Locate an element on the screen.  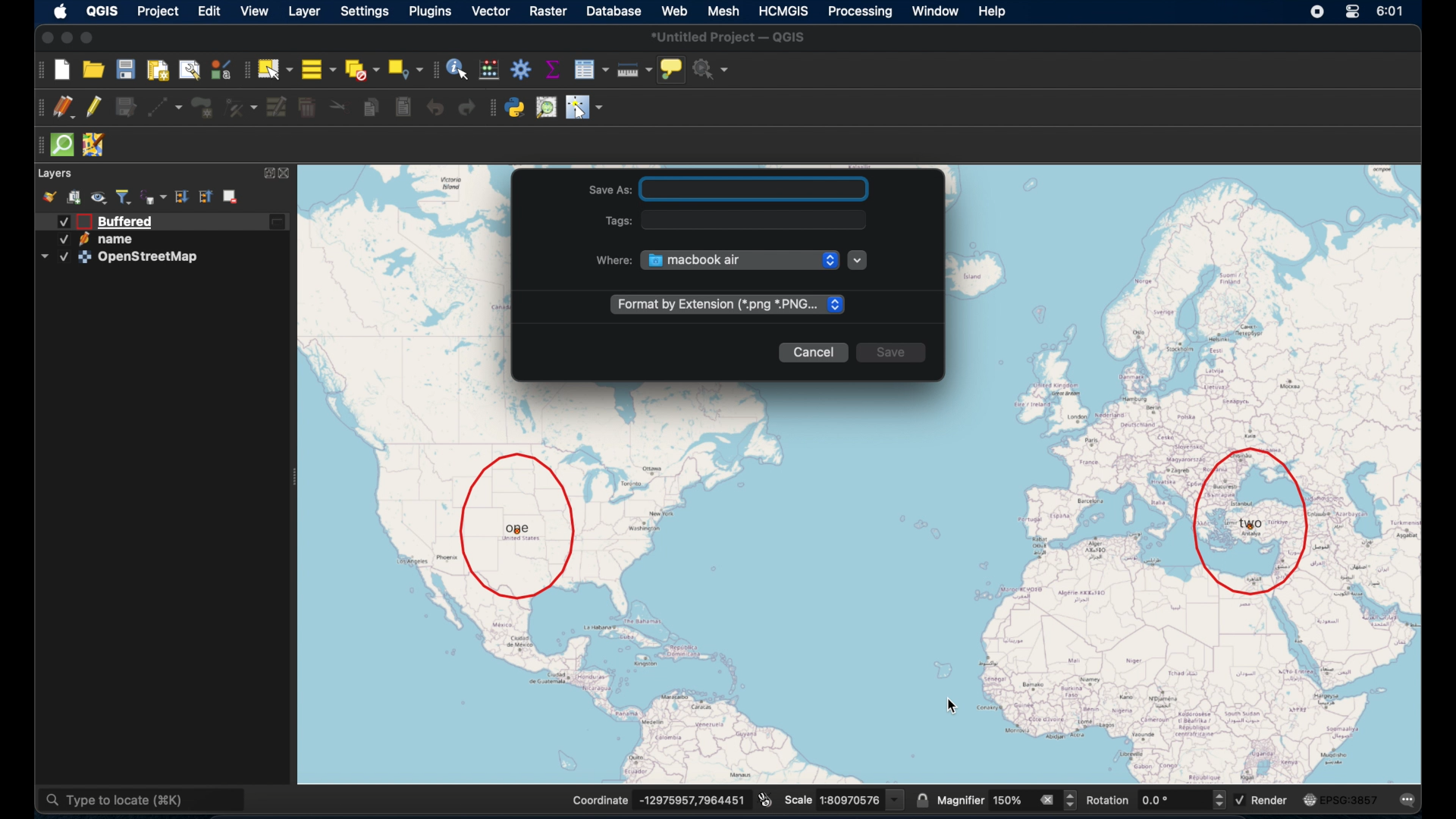
toggle editing is located at coordinates (93, 106).